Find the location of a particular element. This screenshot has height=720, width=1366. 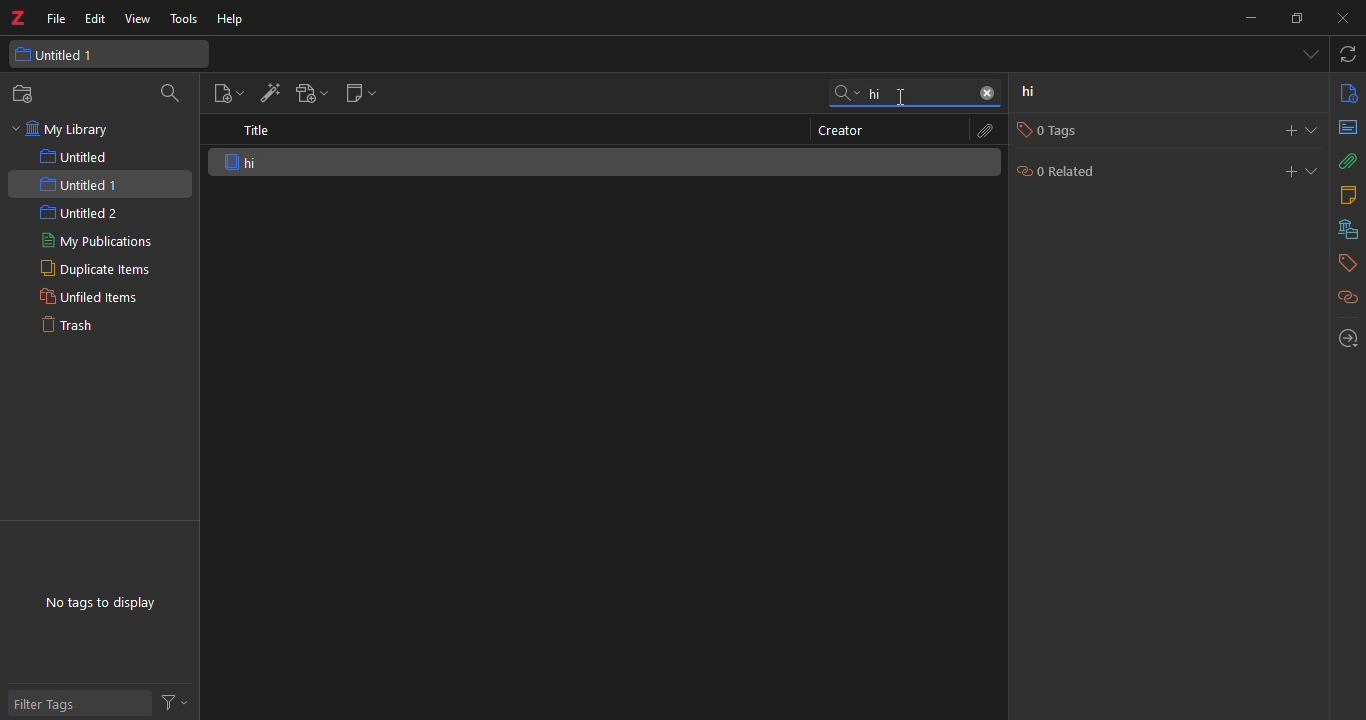

unfiled items is located at coordinates (86, 297).